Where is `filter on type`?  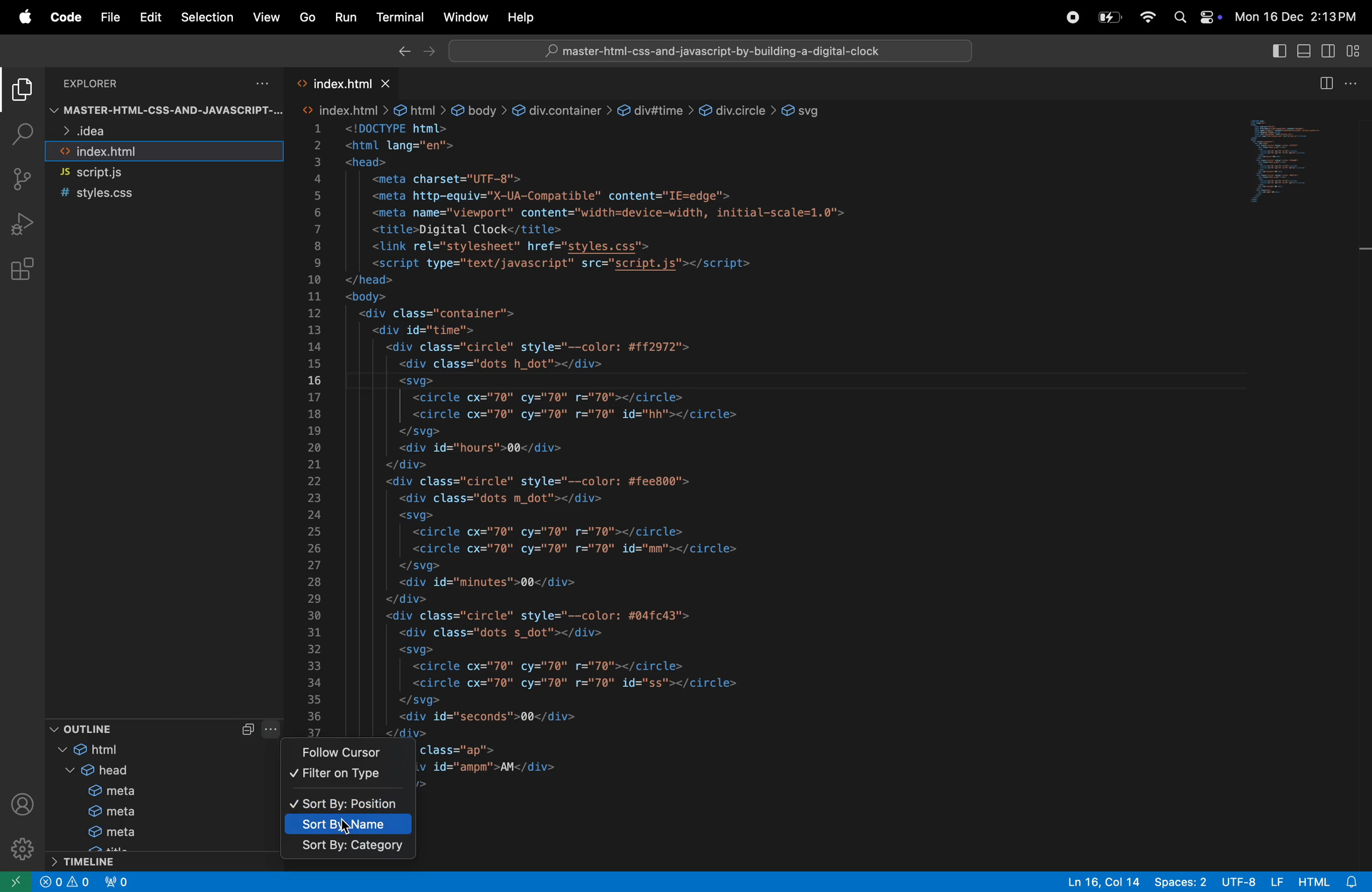
filter on type is located at coordinates (349, 774).